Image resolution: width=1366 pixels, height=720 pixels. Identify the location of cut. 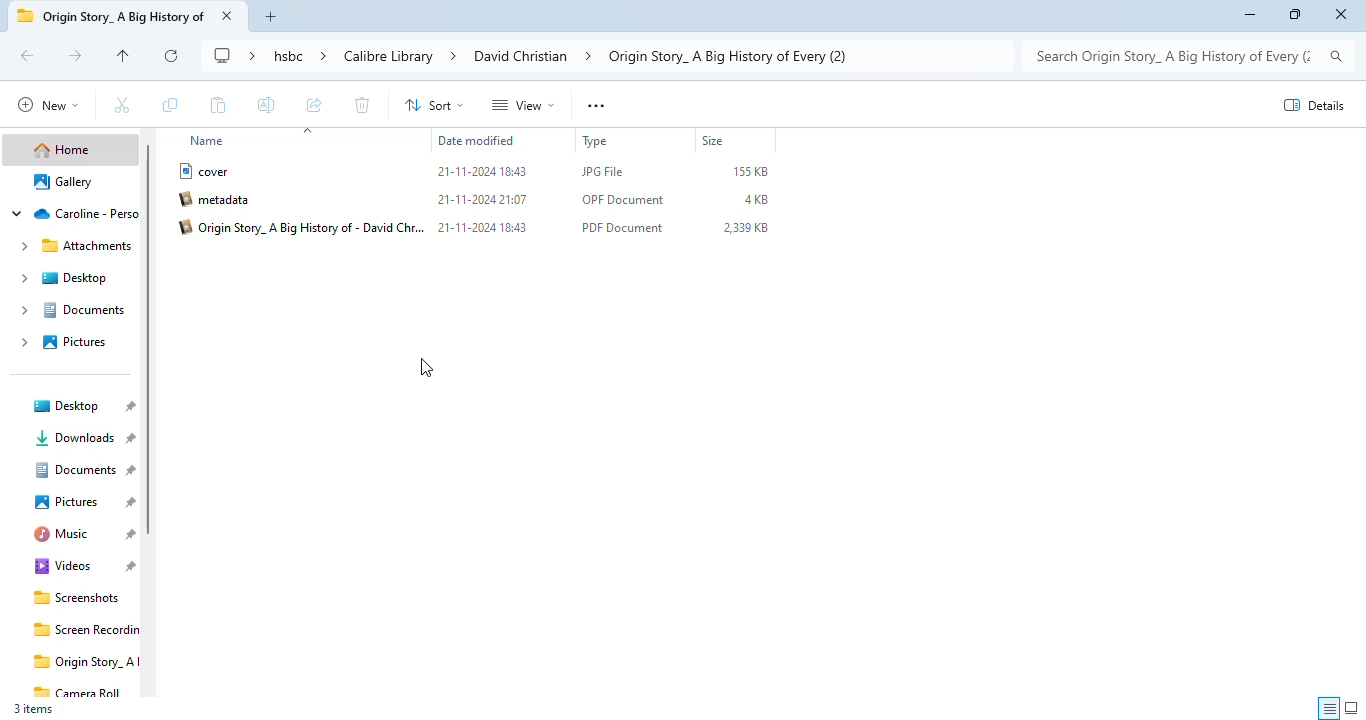
(123, 105).